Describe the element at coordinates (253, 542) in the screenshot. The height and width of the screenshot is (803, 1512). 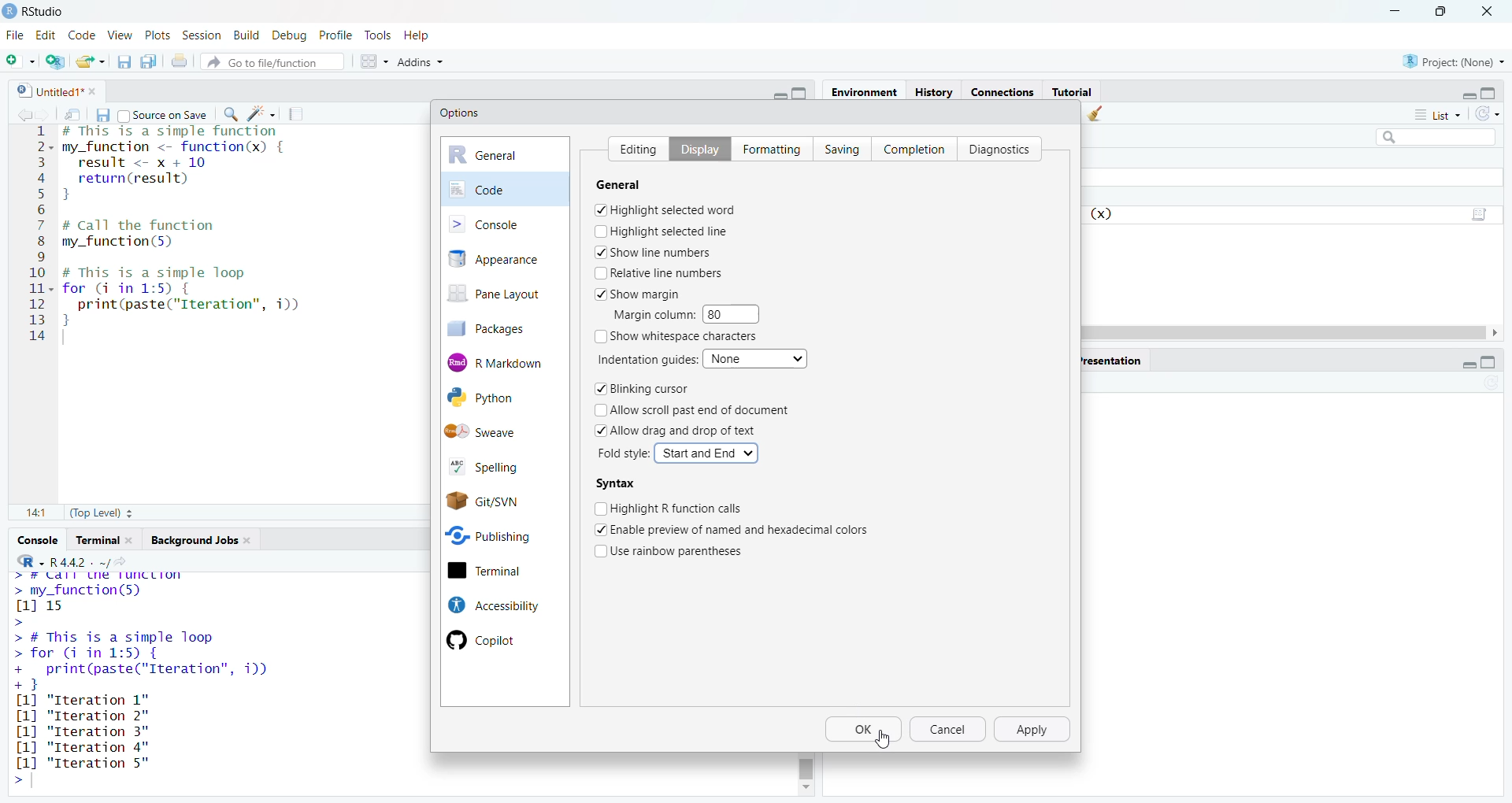
I see `close` at that location.